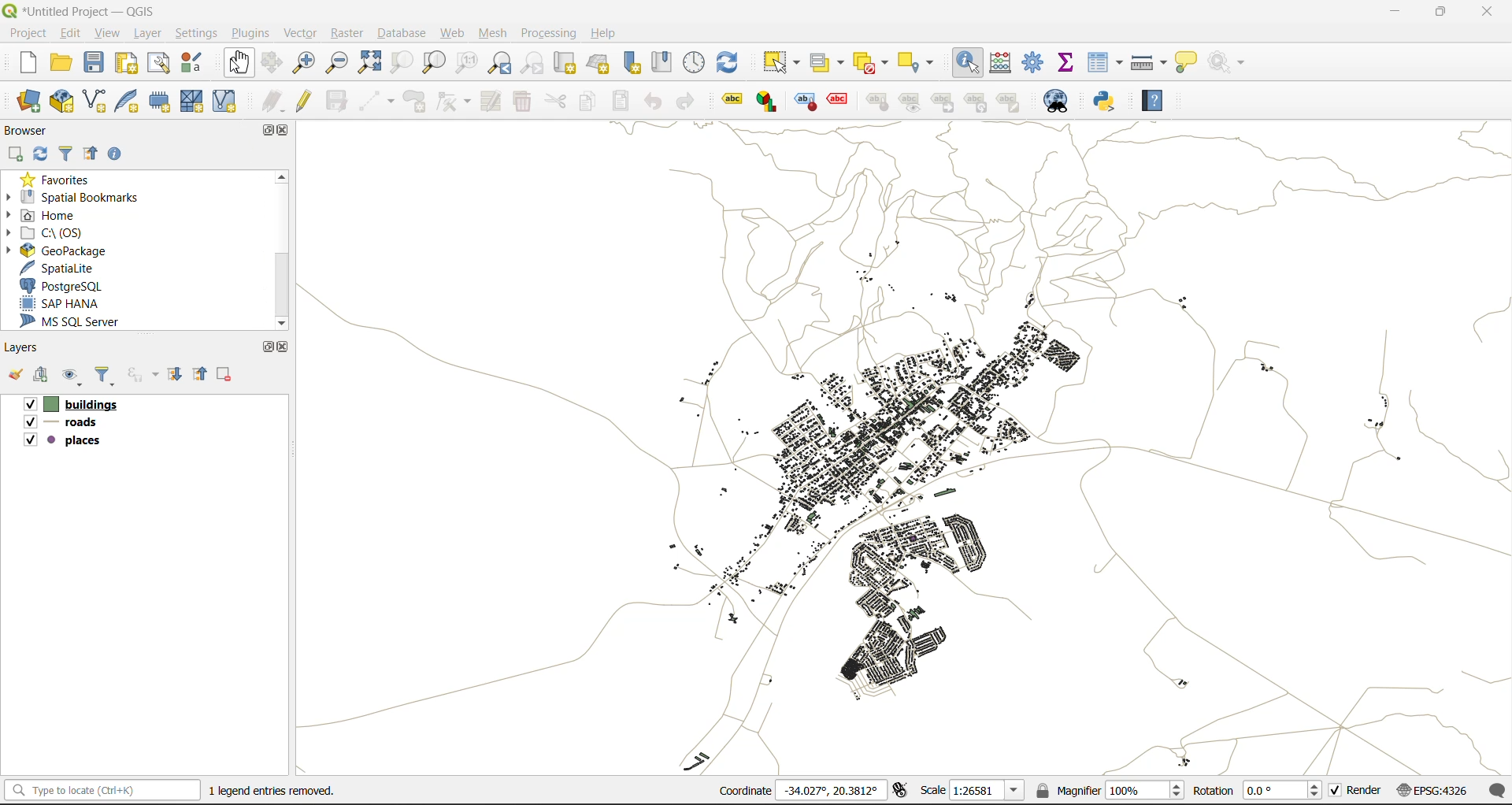 The width and height of the screenshot is (1512, 805). Describe the element at coordinates (78, 321) in the screenshot. I see `ms sql server` at that location.